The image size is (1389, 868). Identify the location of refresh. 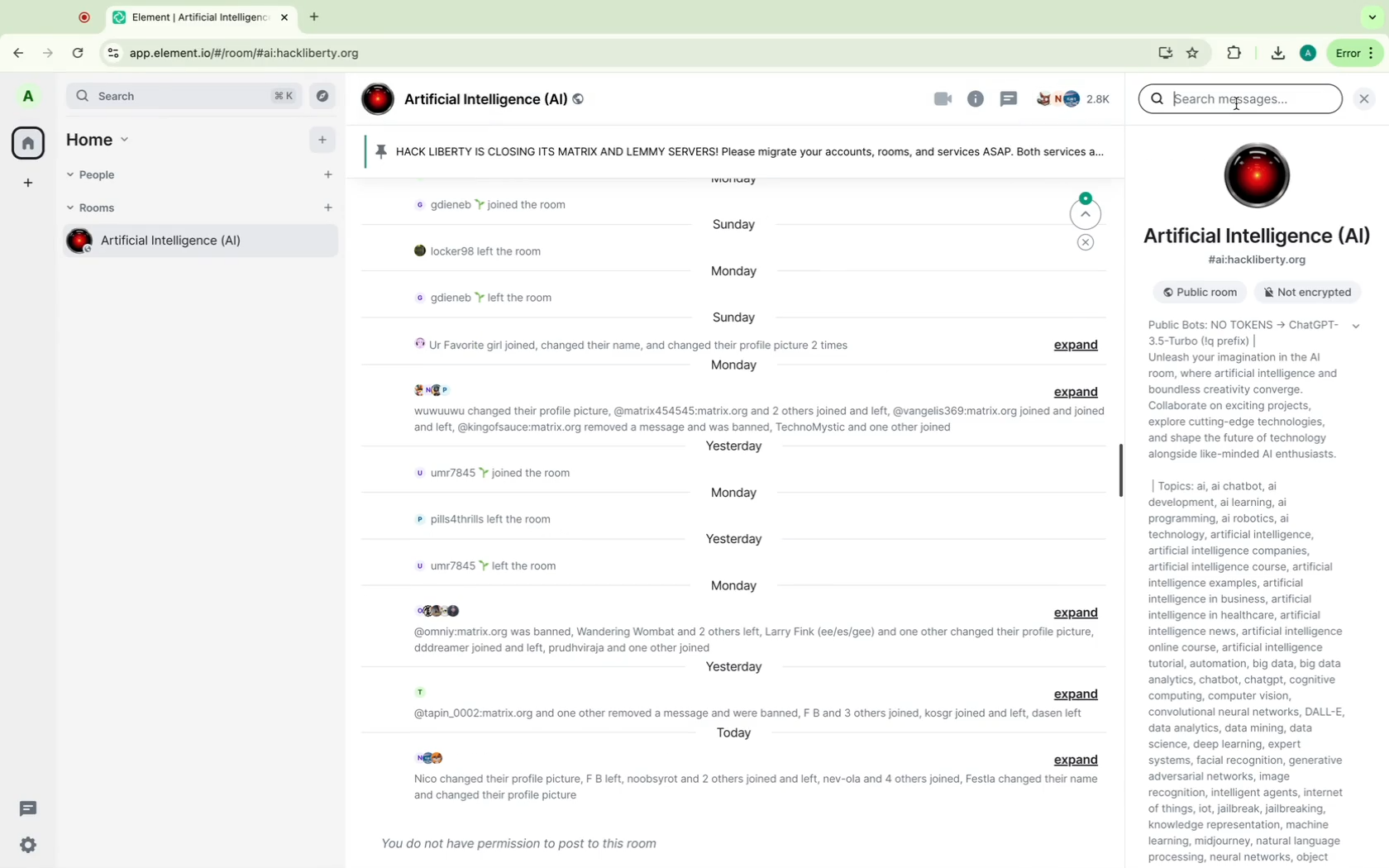
(80, 55).